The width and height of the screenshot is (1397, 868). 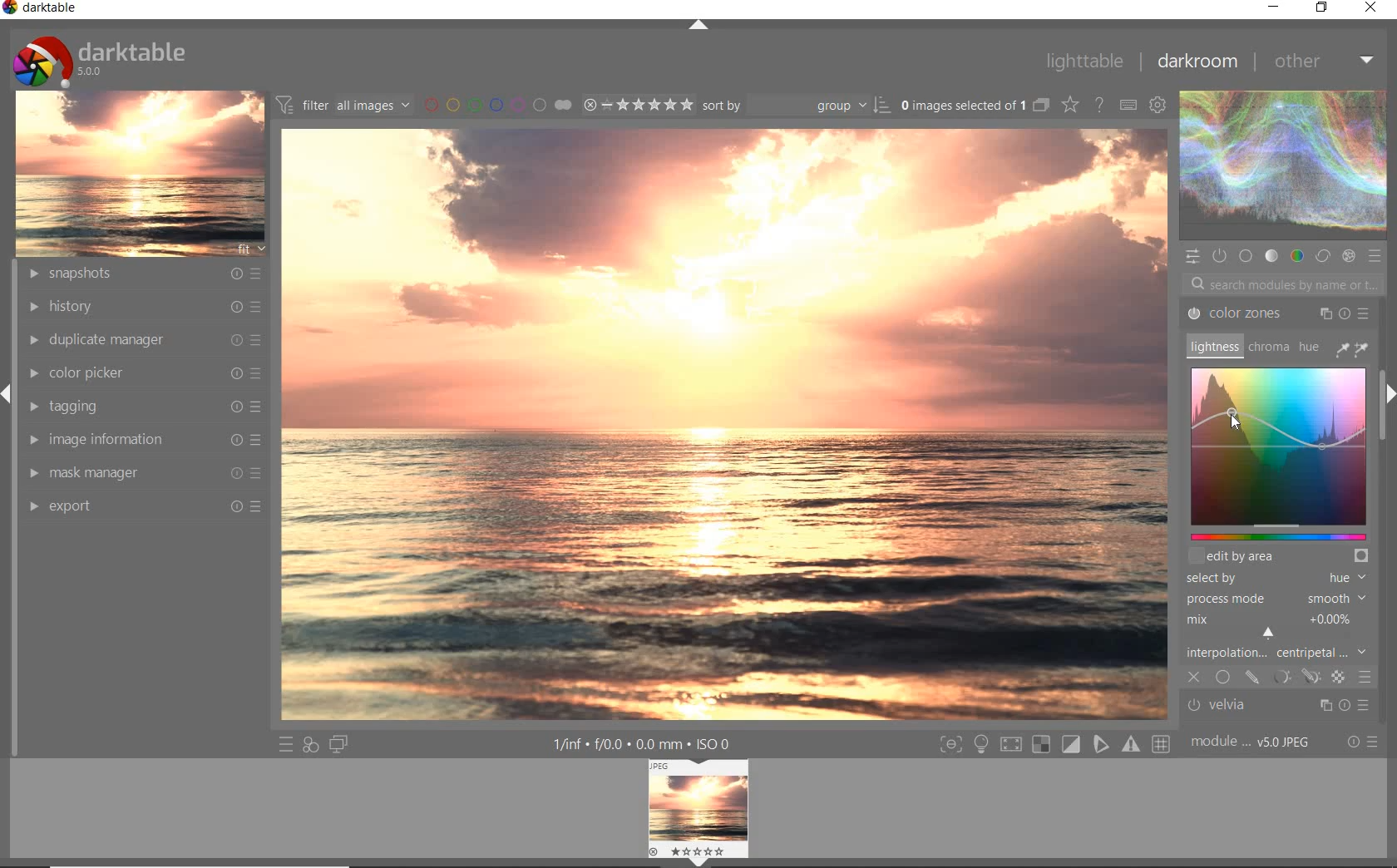 I want to click on EXPAND/COLLAPSE, so click(x=698, y=26).